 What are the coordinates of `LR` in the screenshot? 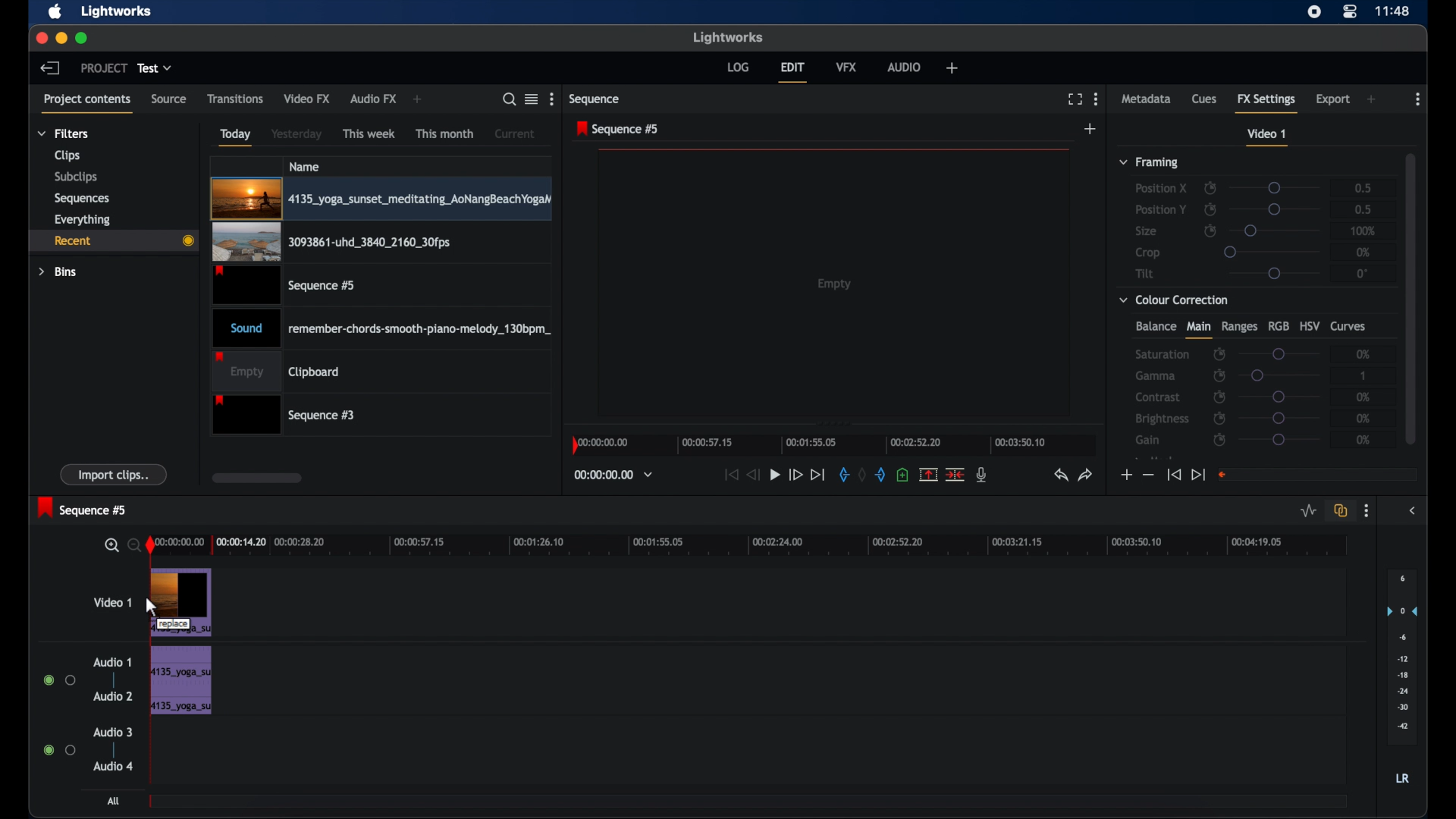 It's located at (1402, 779).